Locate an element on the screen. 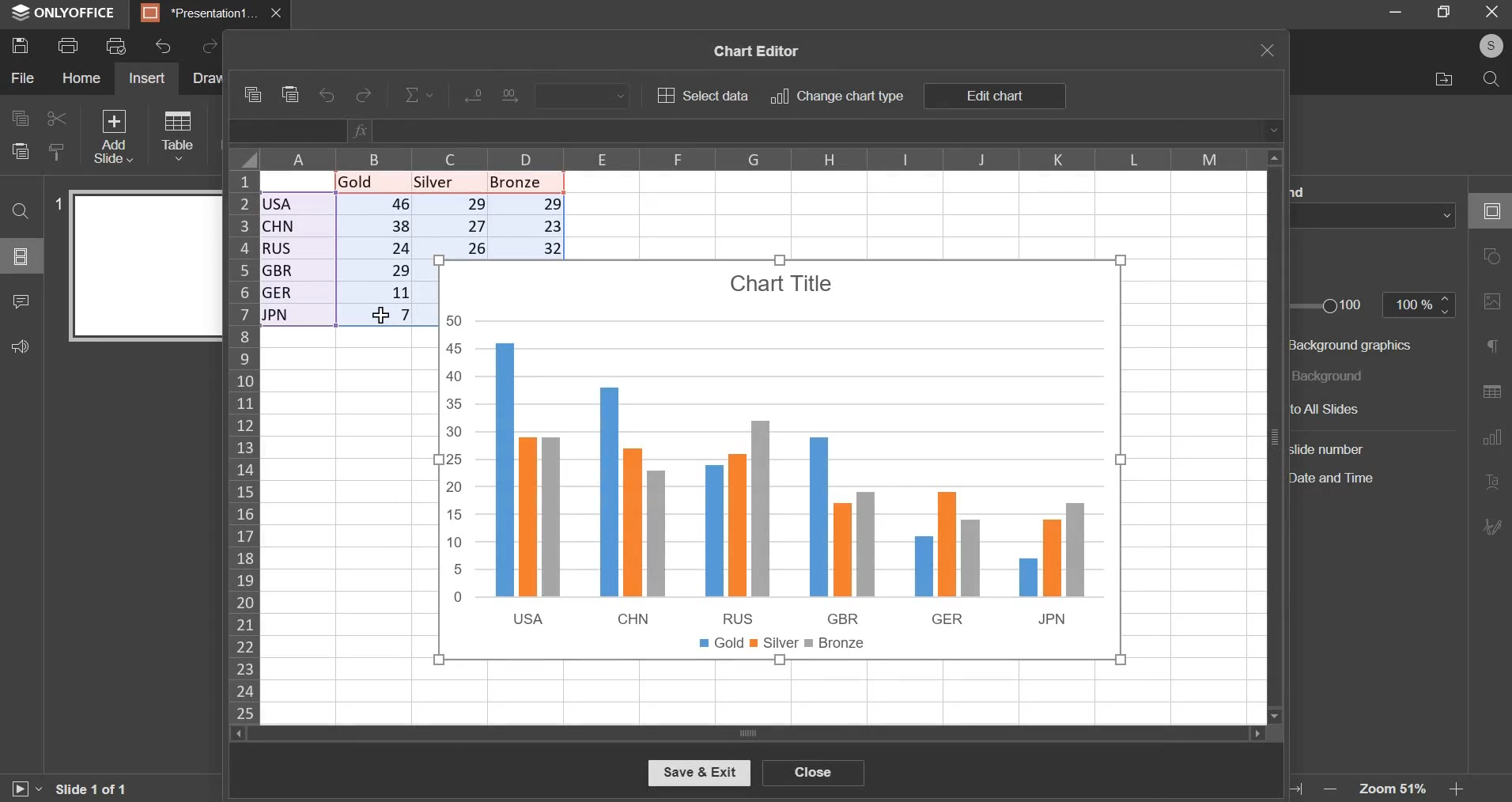  columns is located at coordinates (759, 157).